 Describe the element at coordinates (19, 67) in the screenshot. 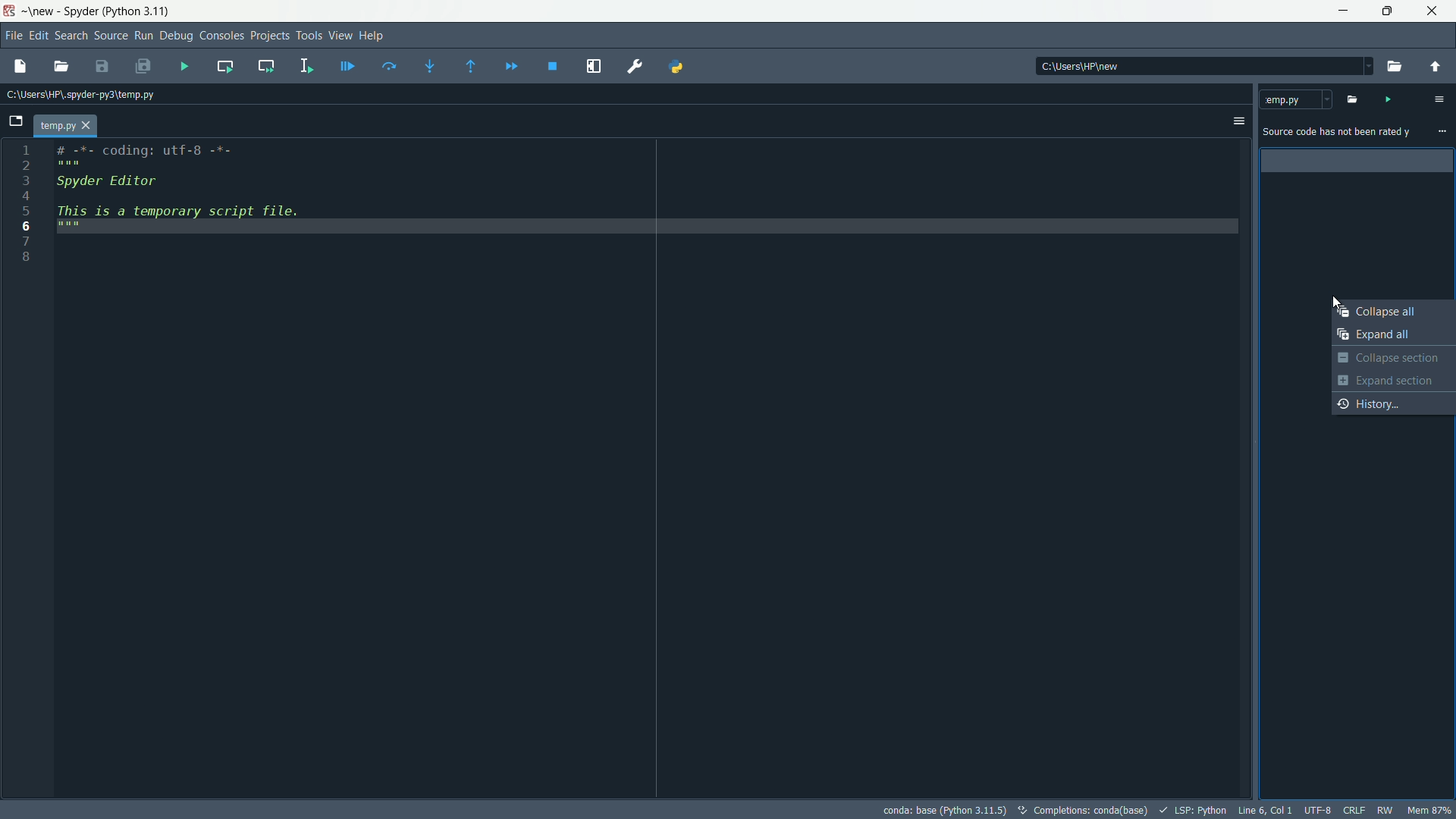

I see `open file` at that location.